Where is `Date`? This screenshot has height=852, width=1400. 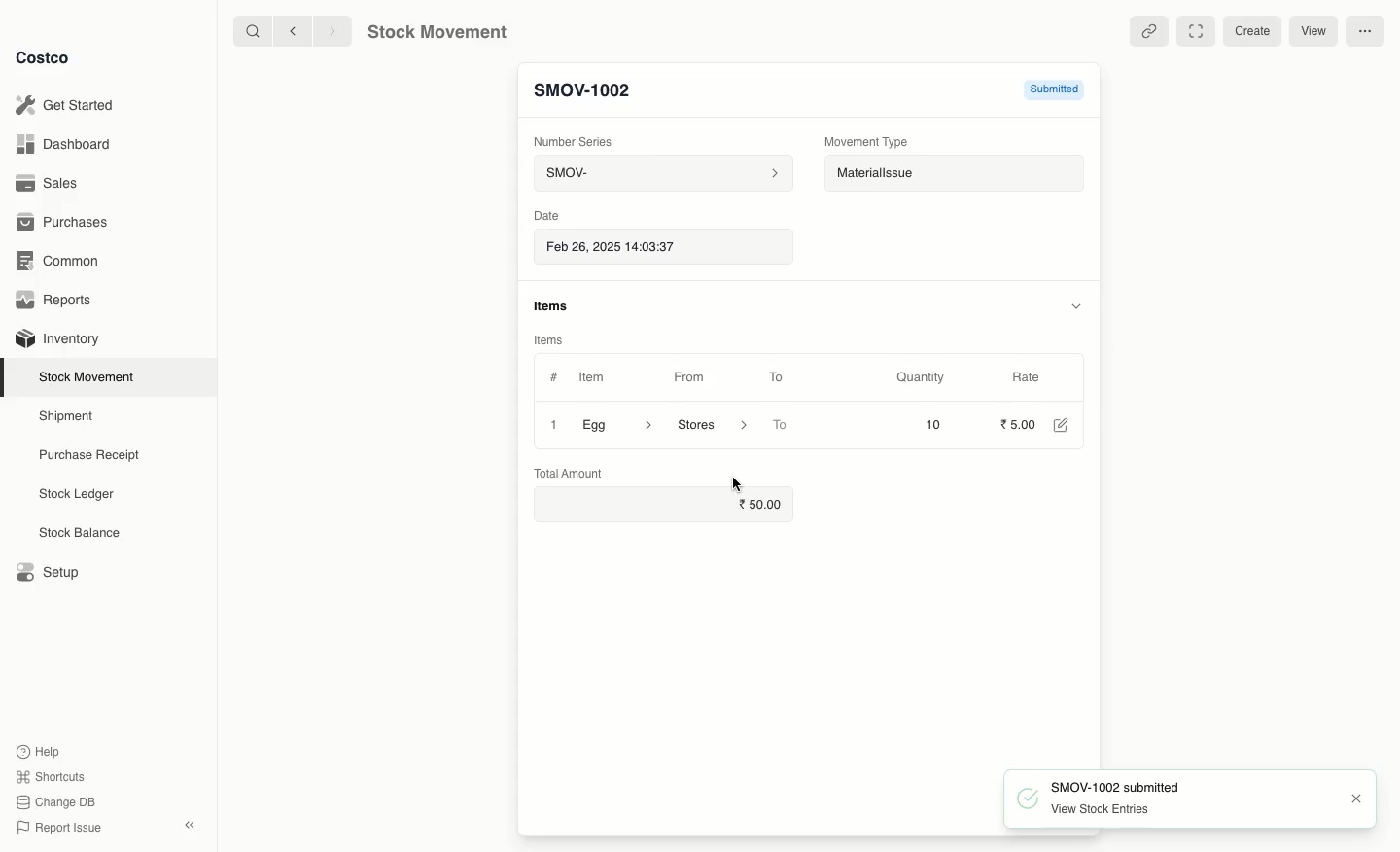
Date is located at coordinates (545, 215).